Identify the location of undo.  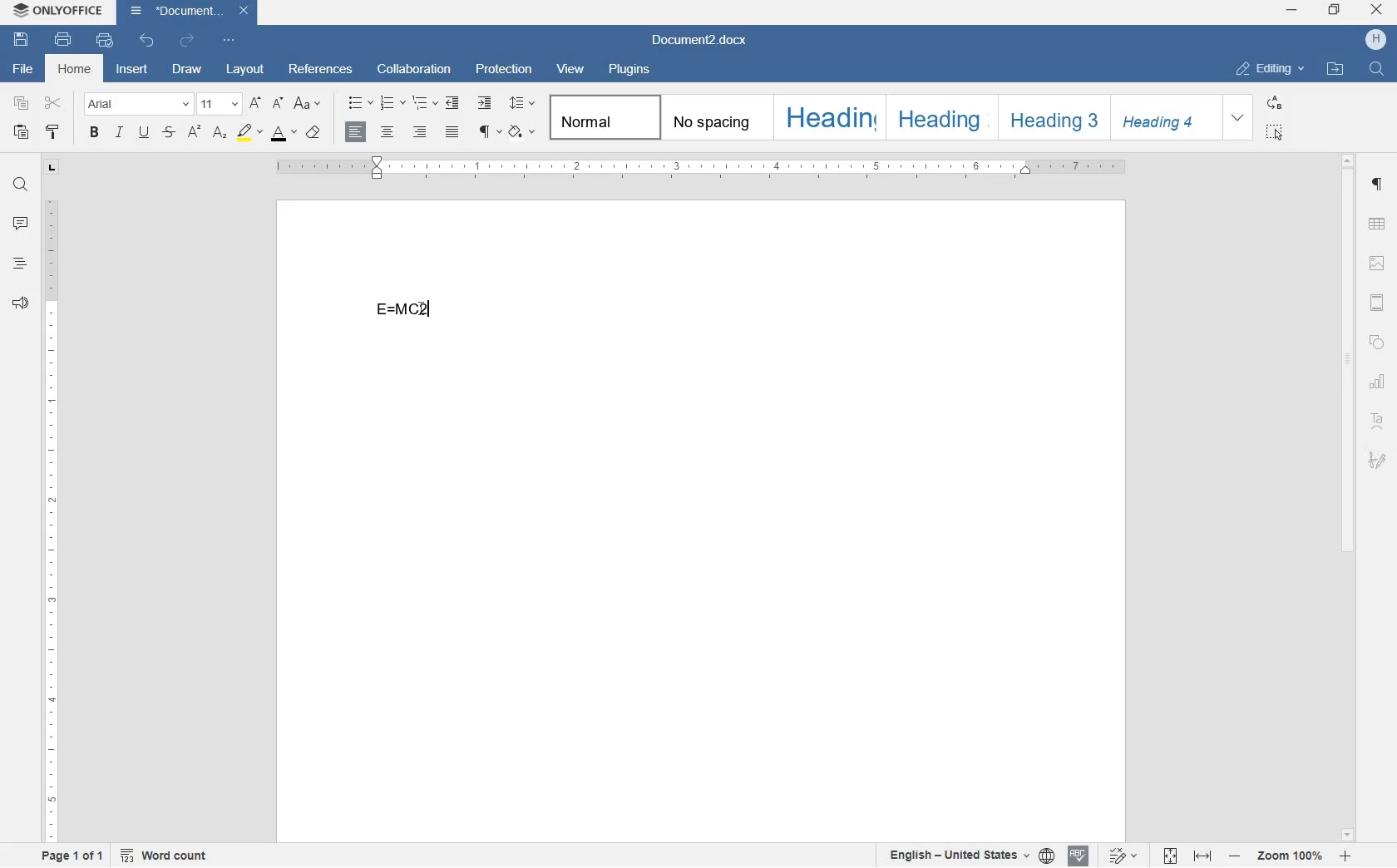
(148, 45).